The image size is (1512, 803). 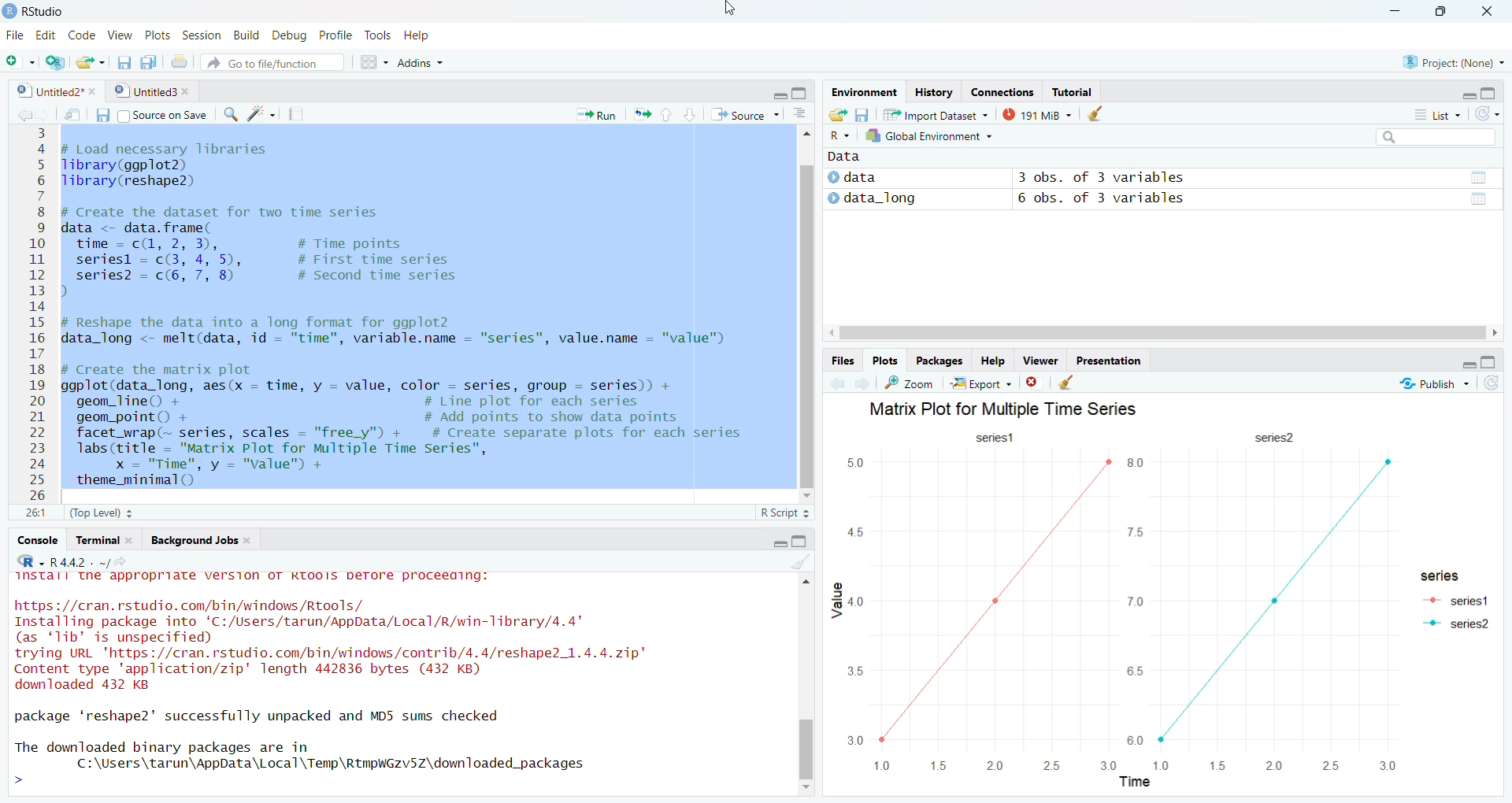 I want to click on 0 | Untitled2*, so click(x=47, y=91).